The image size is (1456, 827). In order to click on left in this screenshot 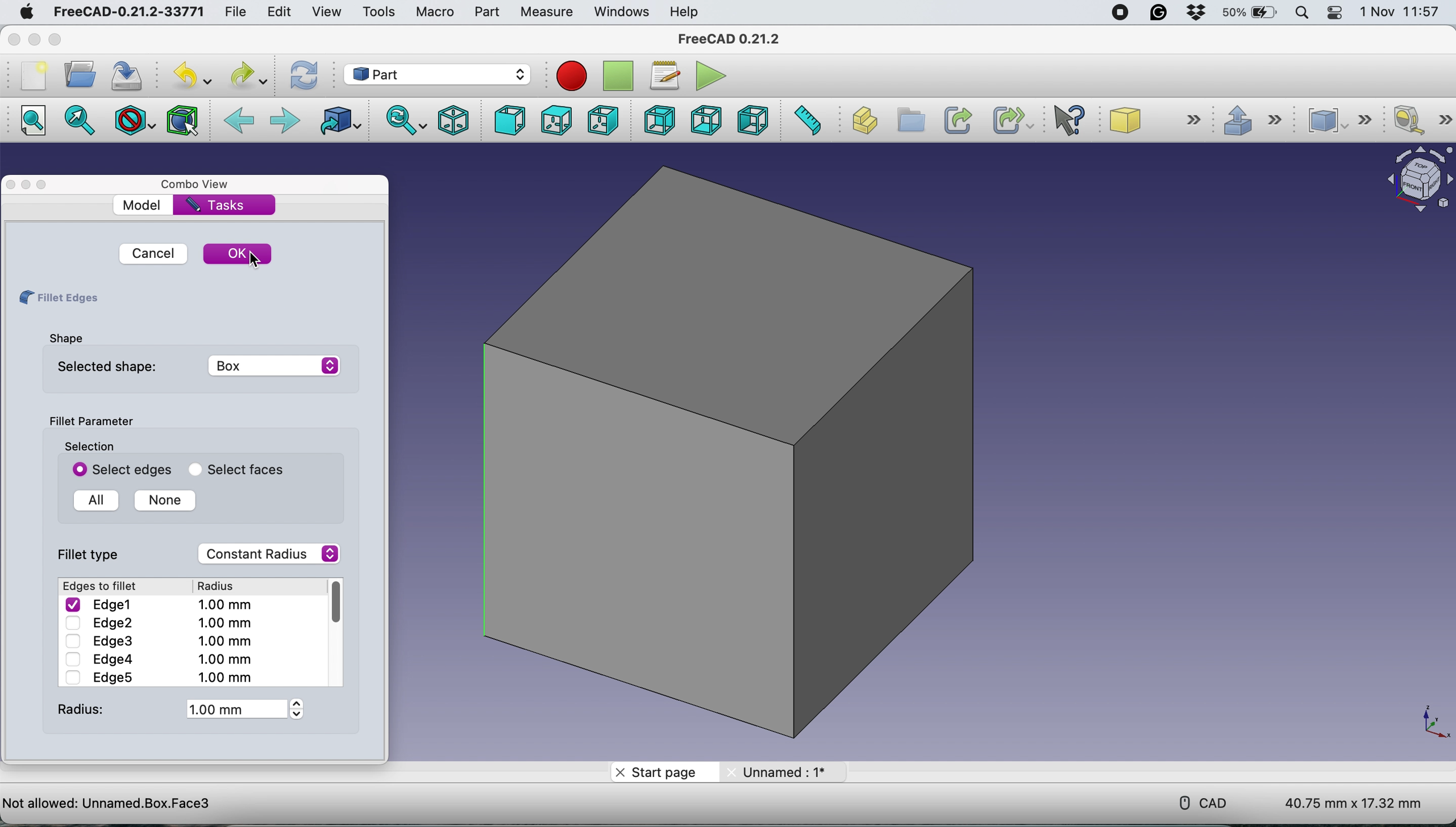, I will do `click(752, 119)`.